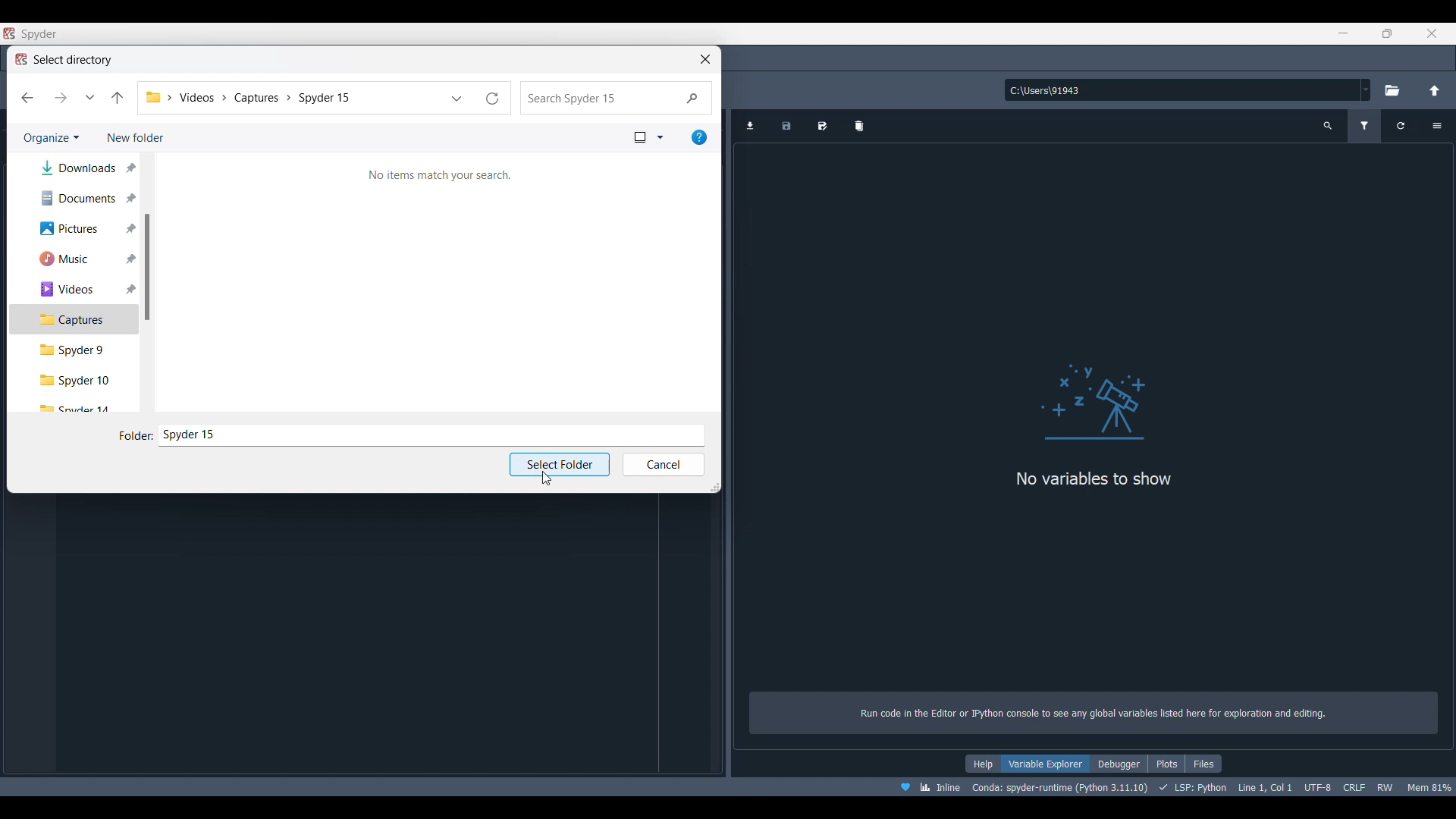 This screenshot has height=819, width=1456. I want to click on cursor, so click(544, 478).